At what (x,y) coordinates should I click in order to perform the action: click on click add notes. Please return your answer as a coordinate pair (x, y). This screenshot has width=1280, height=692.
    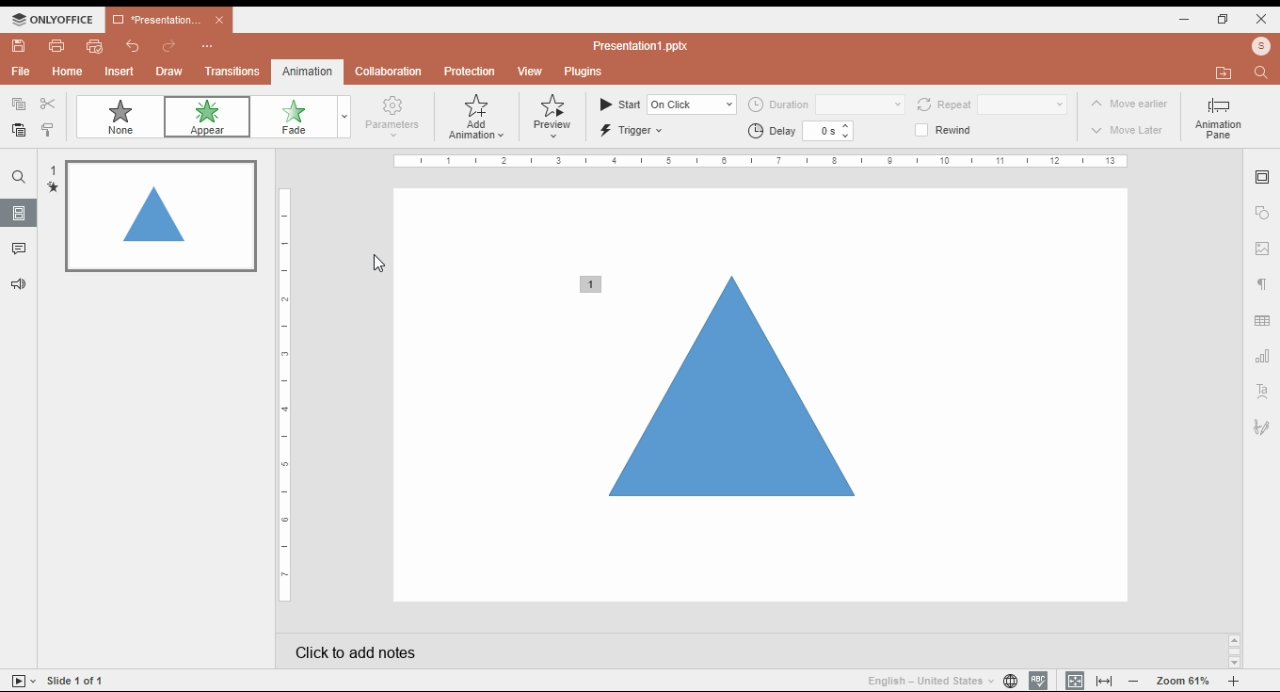
    Looking at the image, I should click on (536, 653).